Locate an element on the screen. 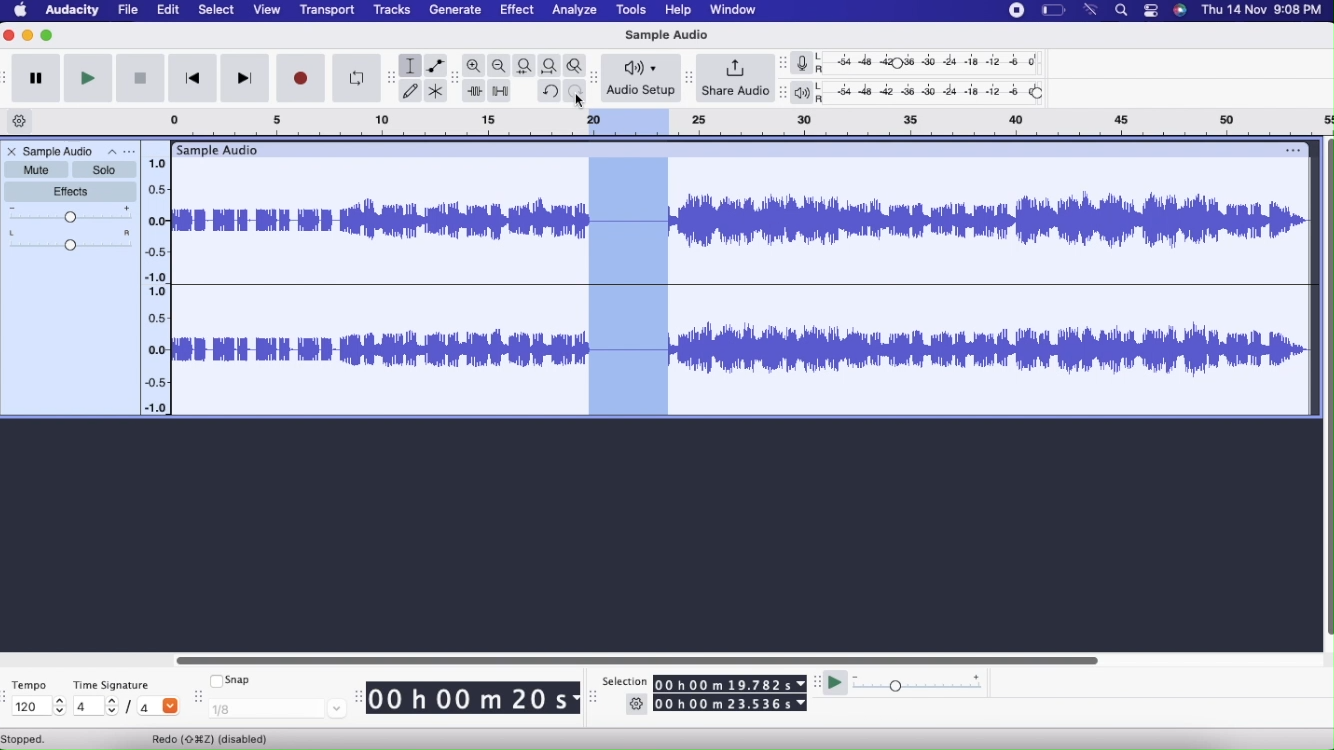 The height and width of the screenshot is (750, 1334). Tempo is located at coordinates (30, 684).